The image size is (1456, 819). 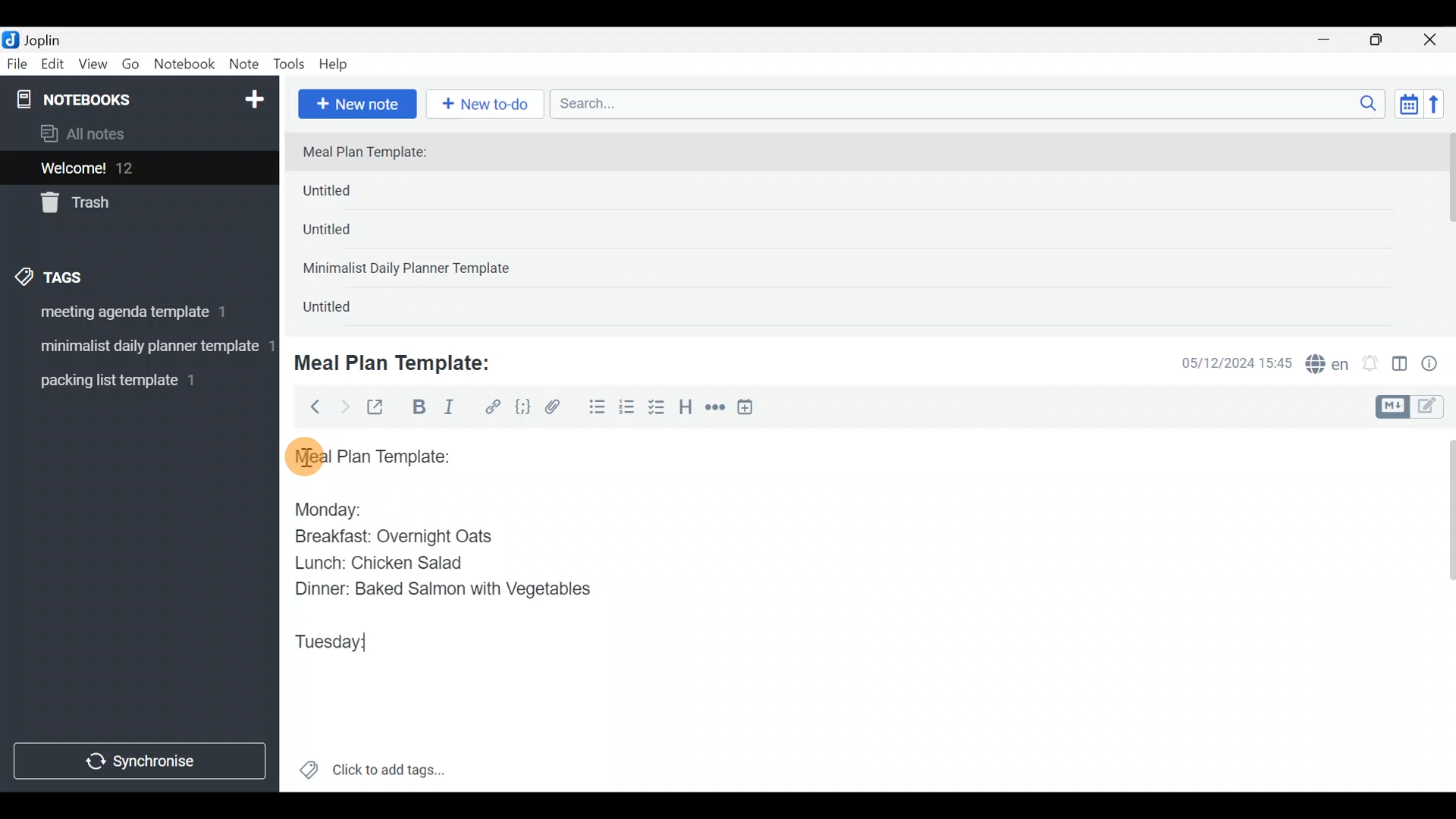 I want to click on Notebooks, so click(x=107, y=99).